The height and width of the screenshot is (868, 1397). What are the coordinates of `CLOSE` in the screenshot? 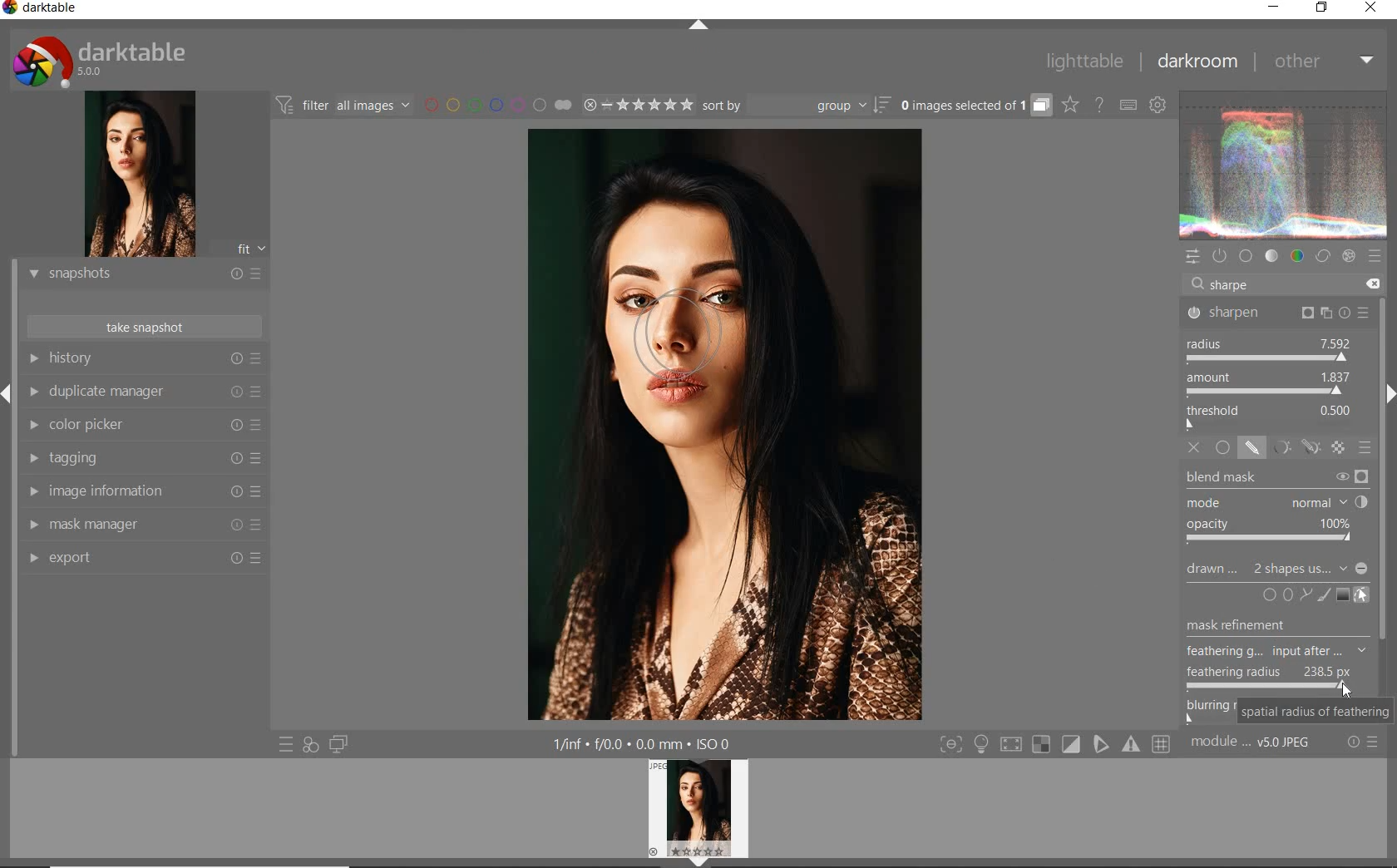 It's located at (1373, 8).